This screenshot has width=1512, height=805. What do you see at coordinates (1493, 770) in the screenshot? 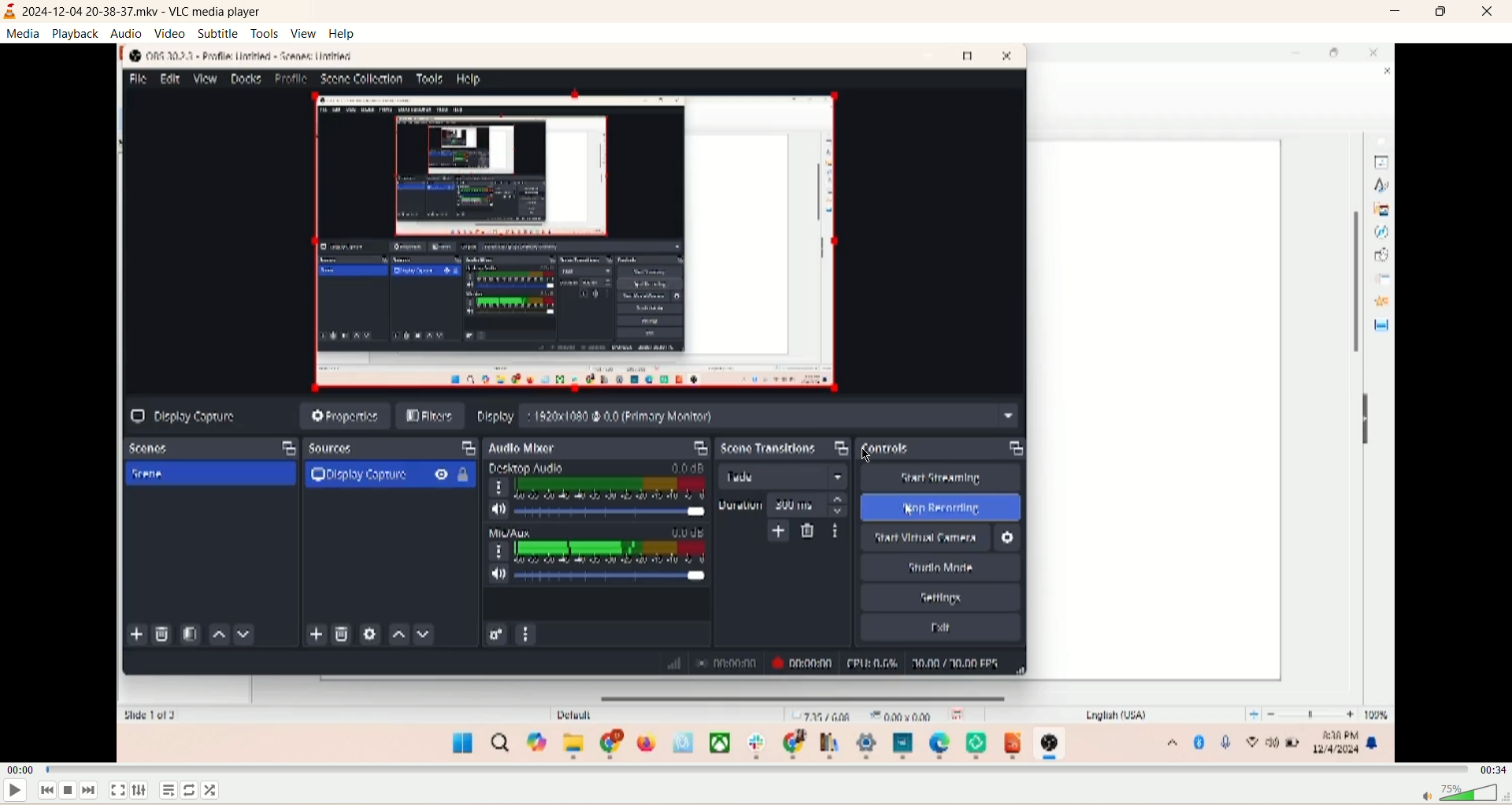
I see `total time` at bounding box center [1493, 770].